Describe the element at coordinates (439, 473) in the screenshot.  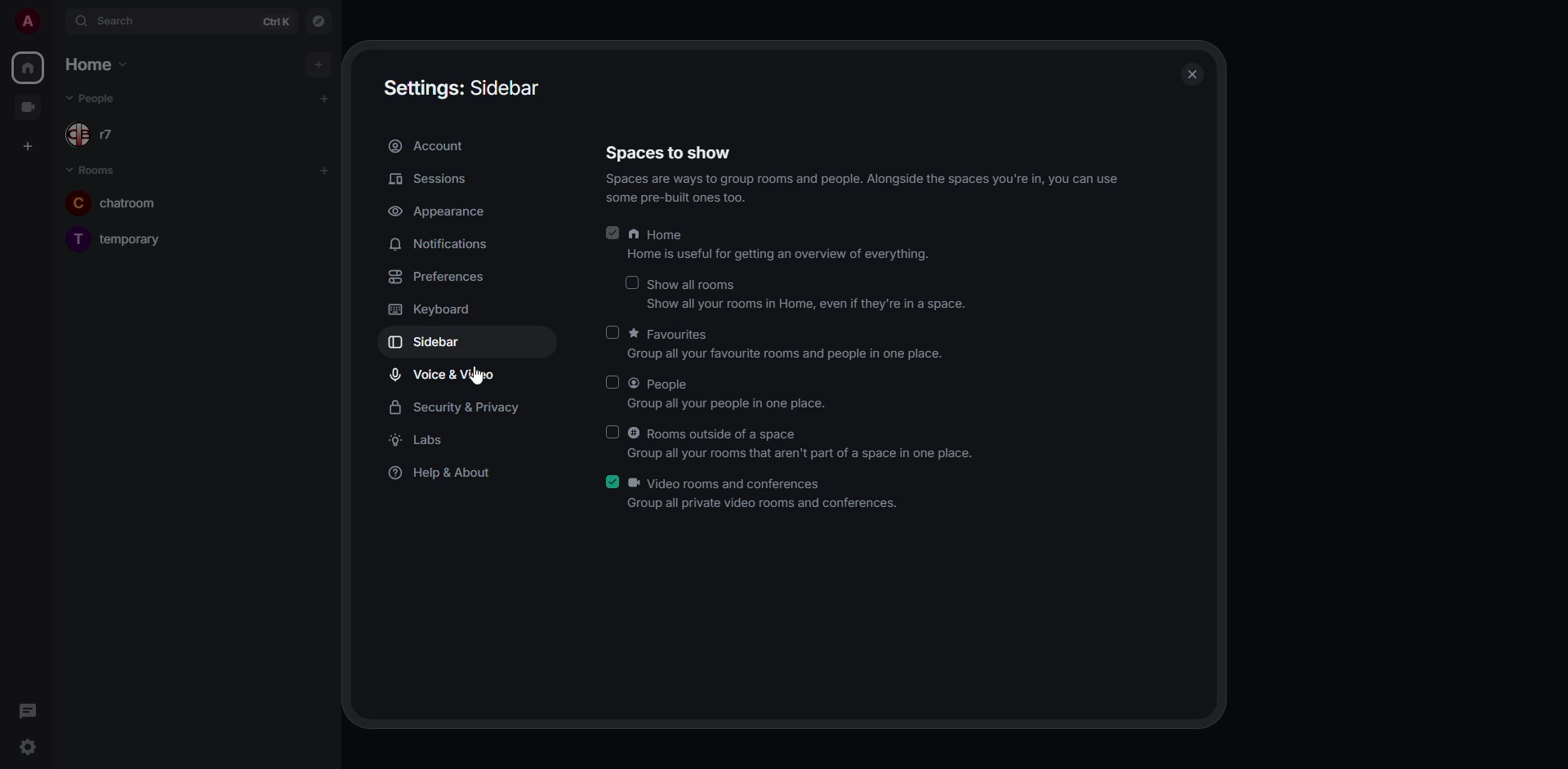
I see `help & about` at that location.